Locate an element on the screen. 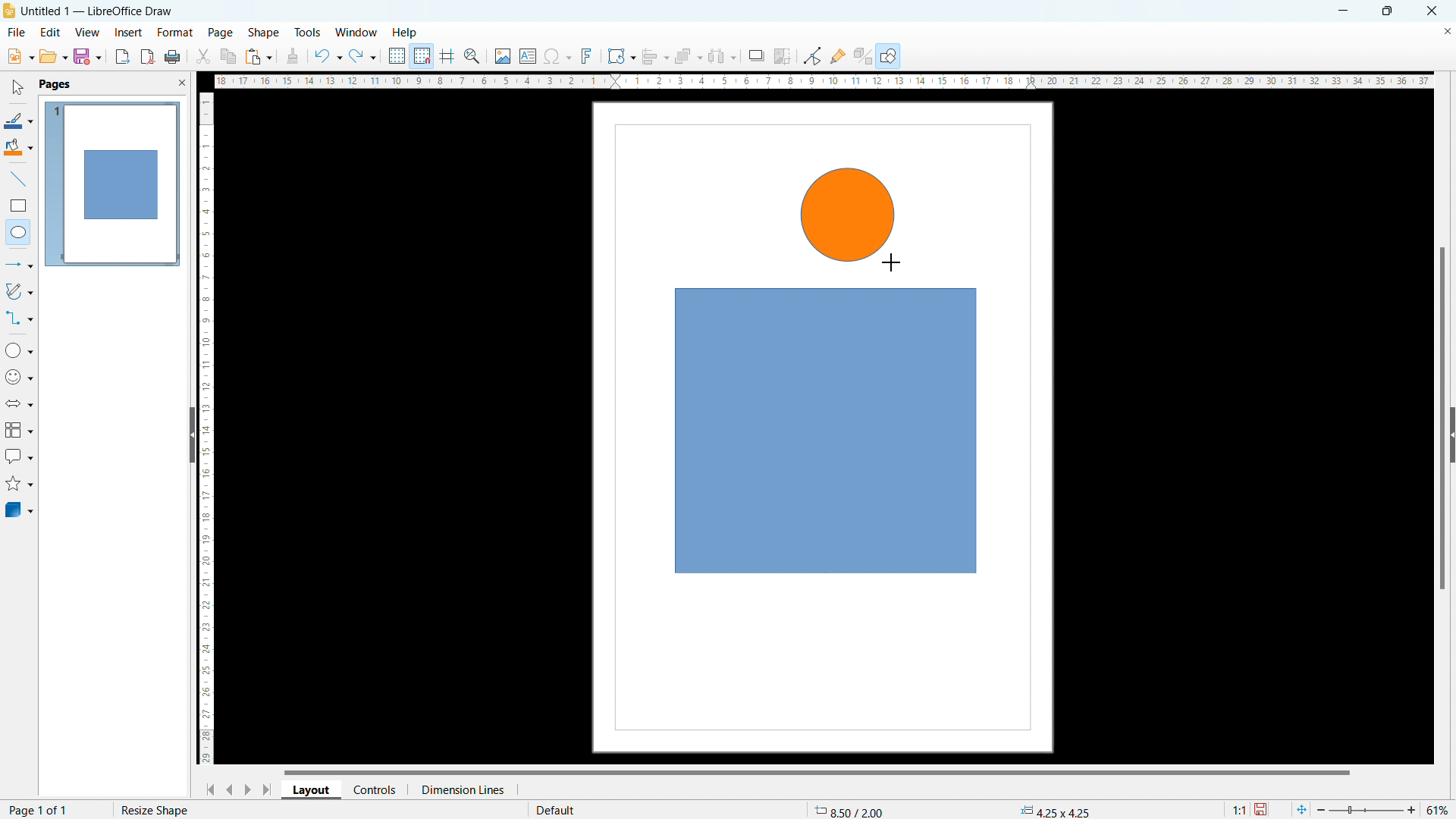 The image size is (1456, 819). horizontal ruler is located at coordinates (824, 80).